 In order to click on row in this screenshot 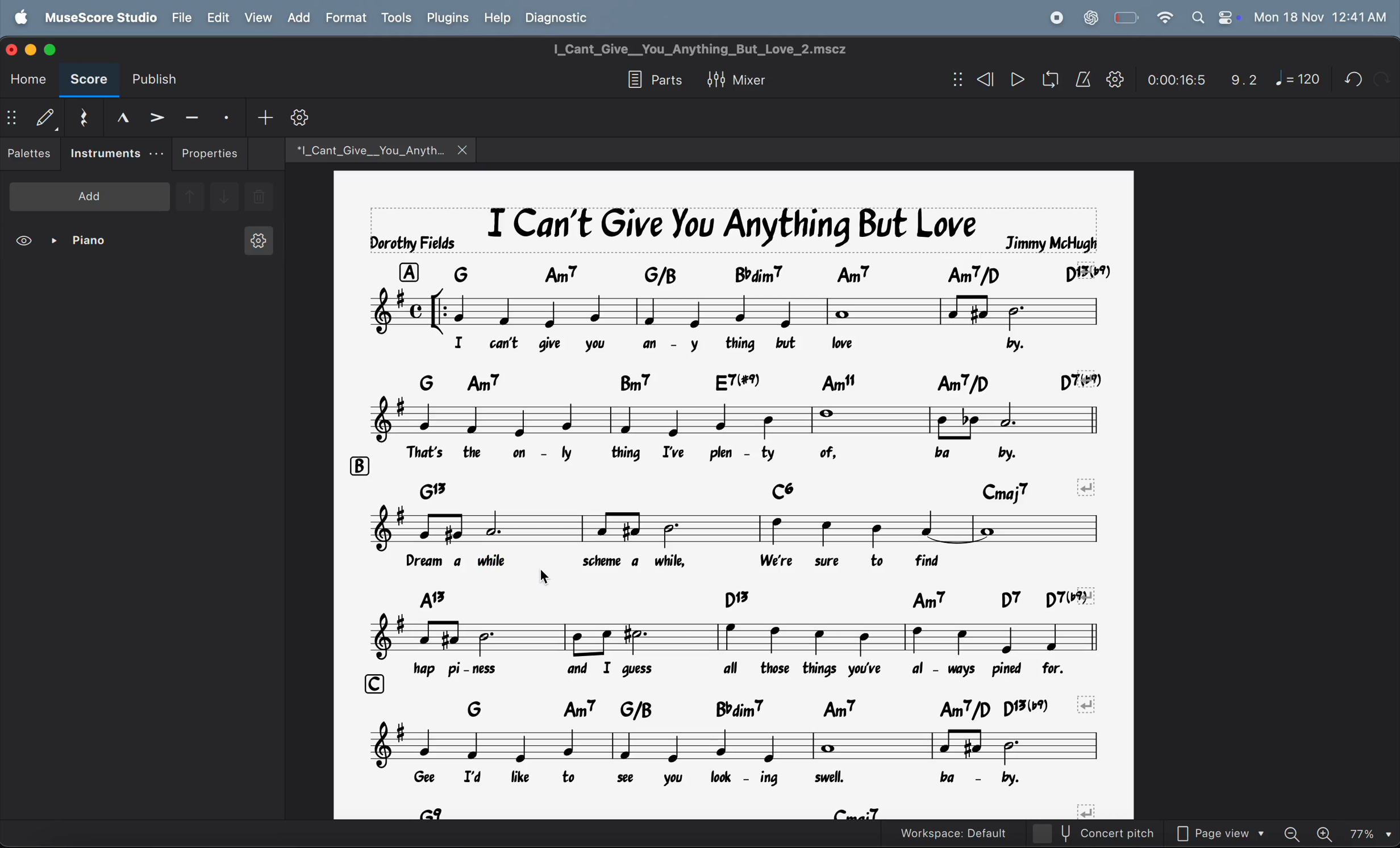, I will do `click(355, 463)`.